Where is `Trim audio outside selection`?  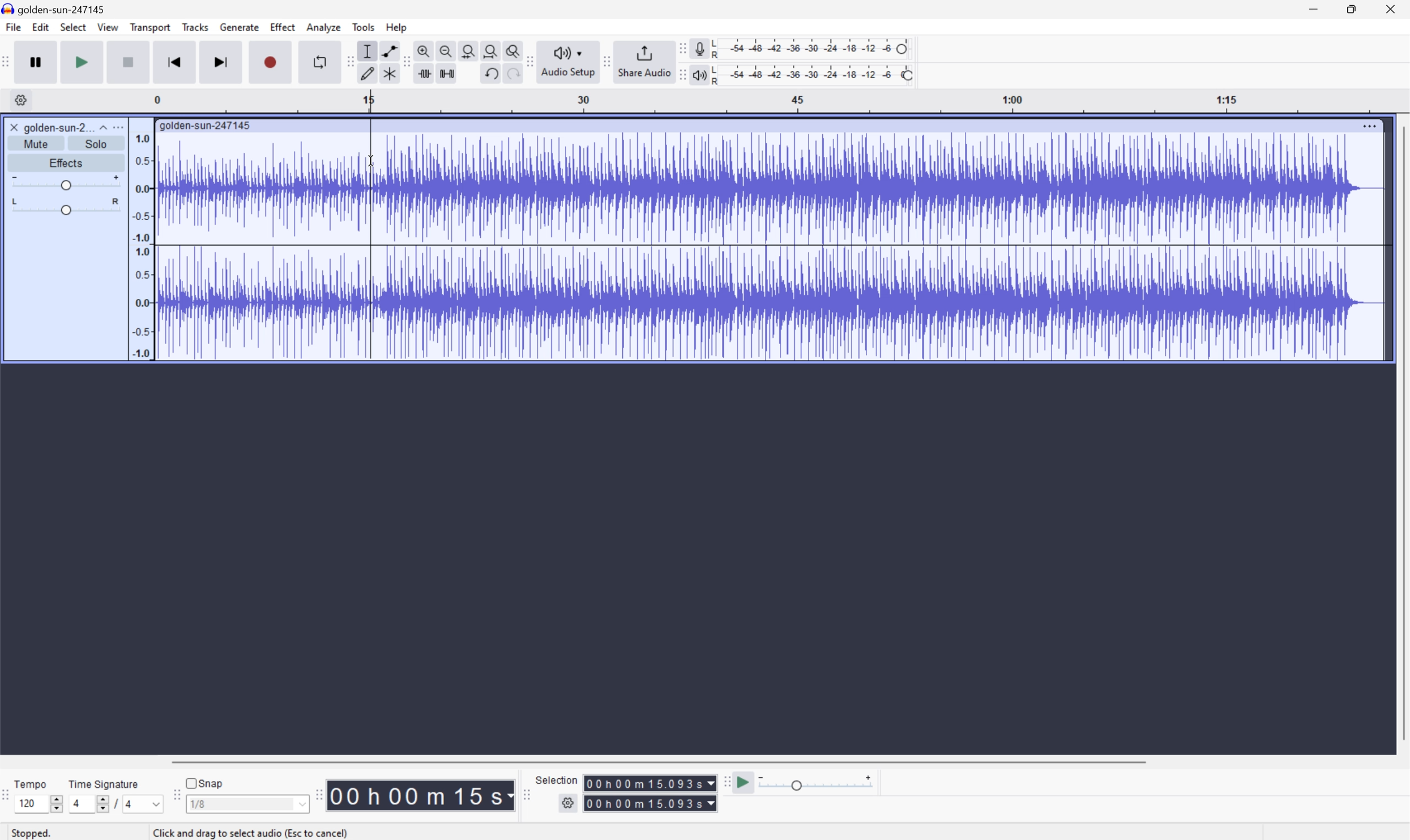
Trim audio outside selection is located at coordinates (422, 74).